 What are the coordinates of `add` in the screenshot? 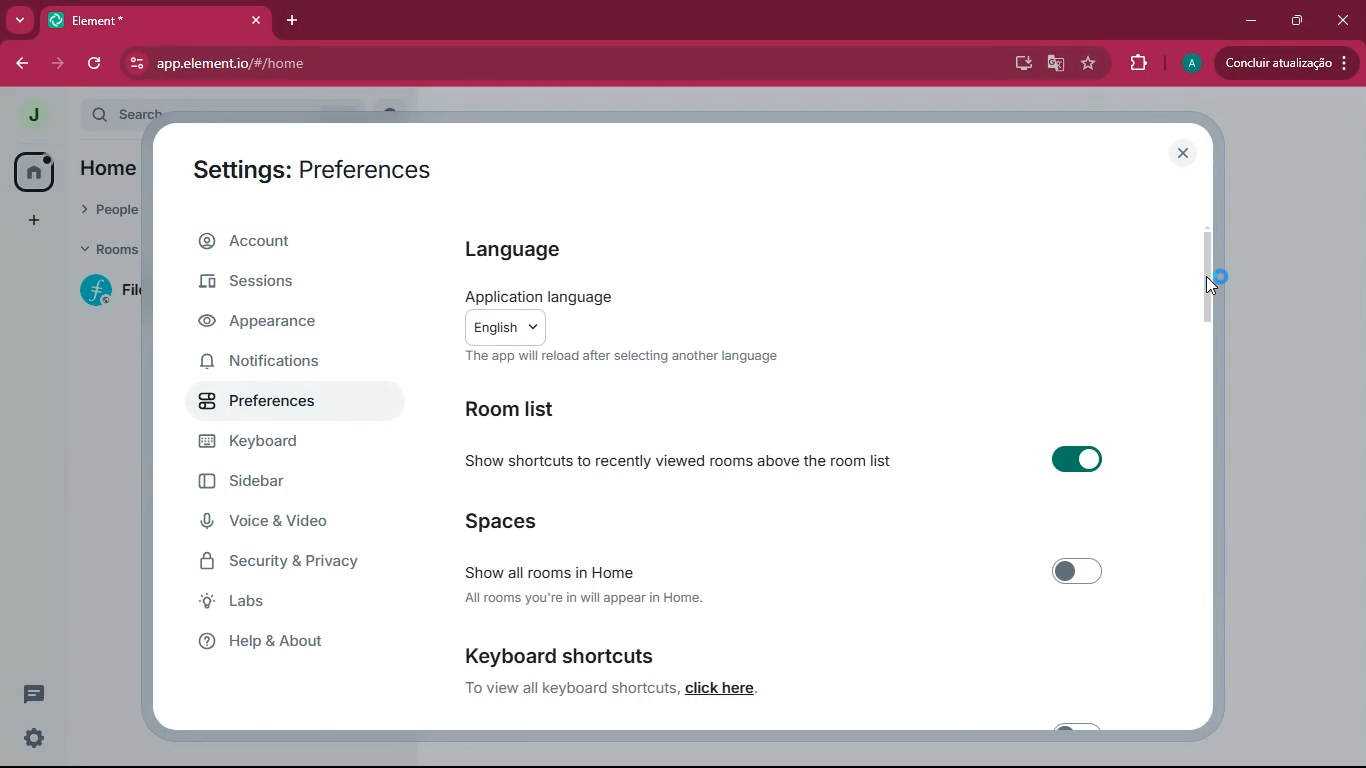 It's located at (37, 221).